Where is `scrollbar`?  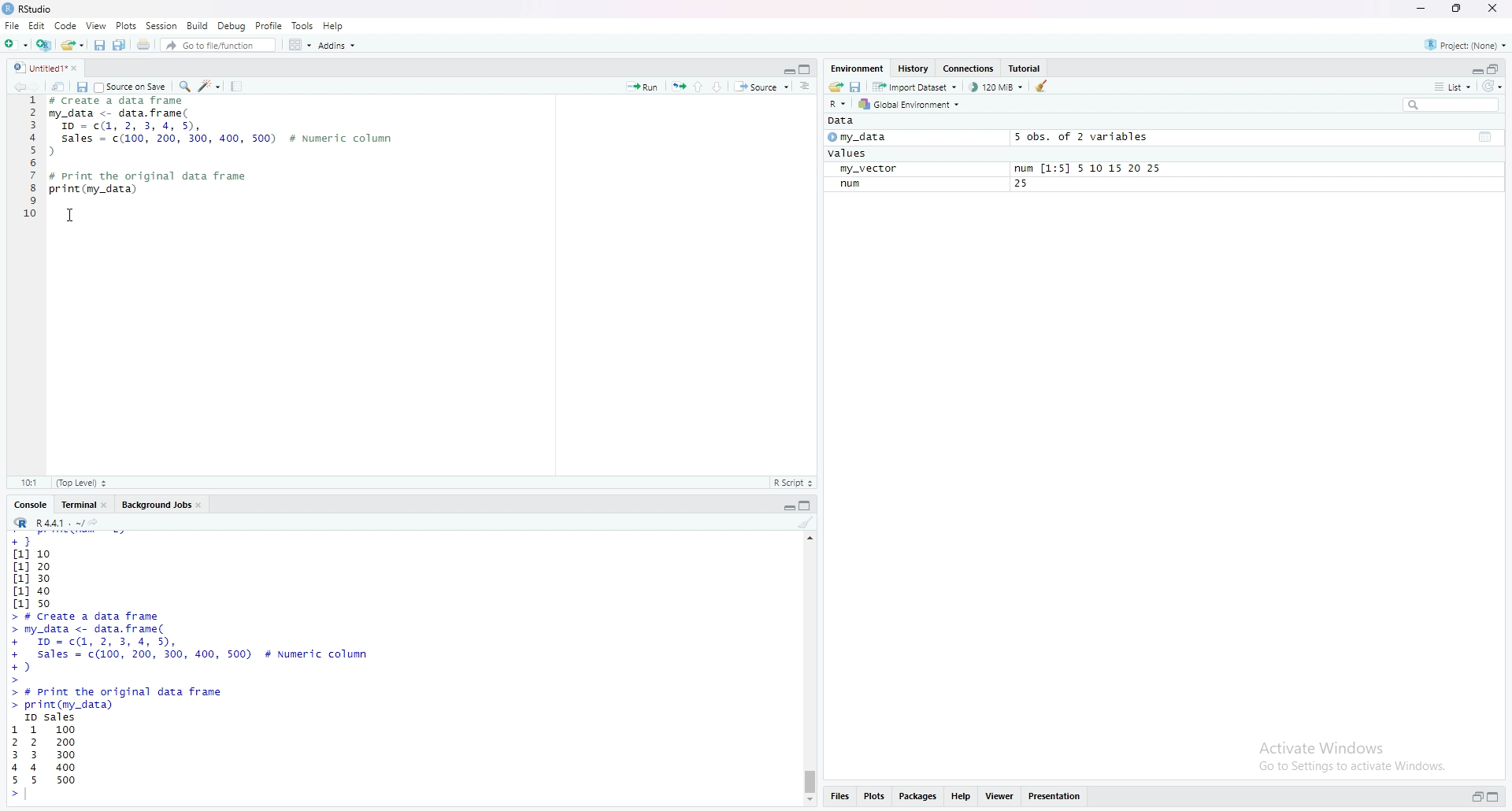
scrollbar is located at coordinates (812, 676).